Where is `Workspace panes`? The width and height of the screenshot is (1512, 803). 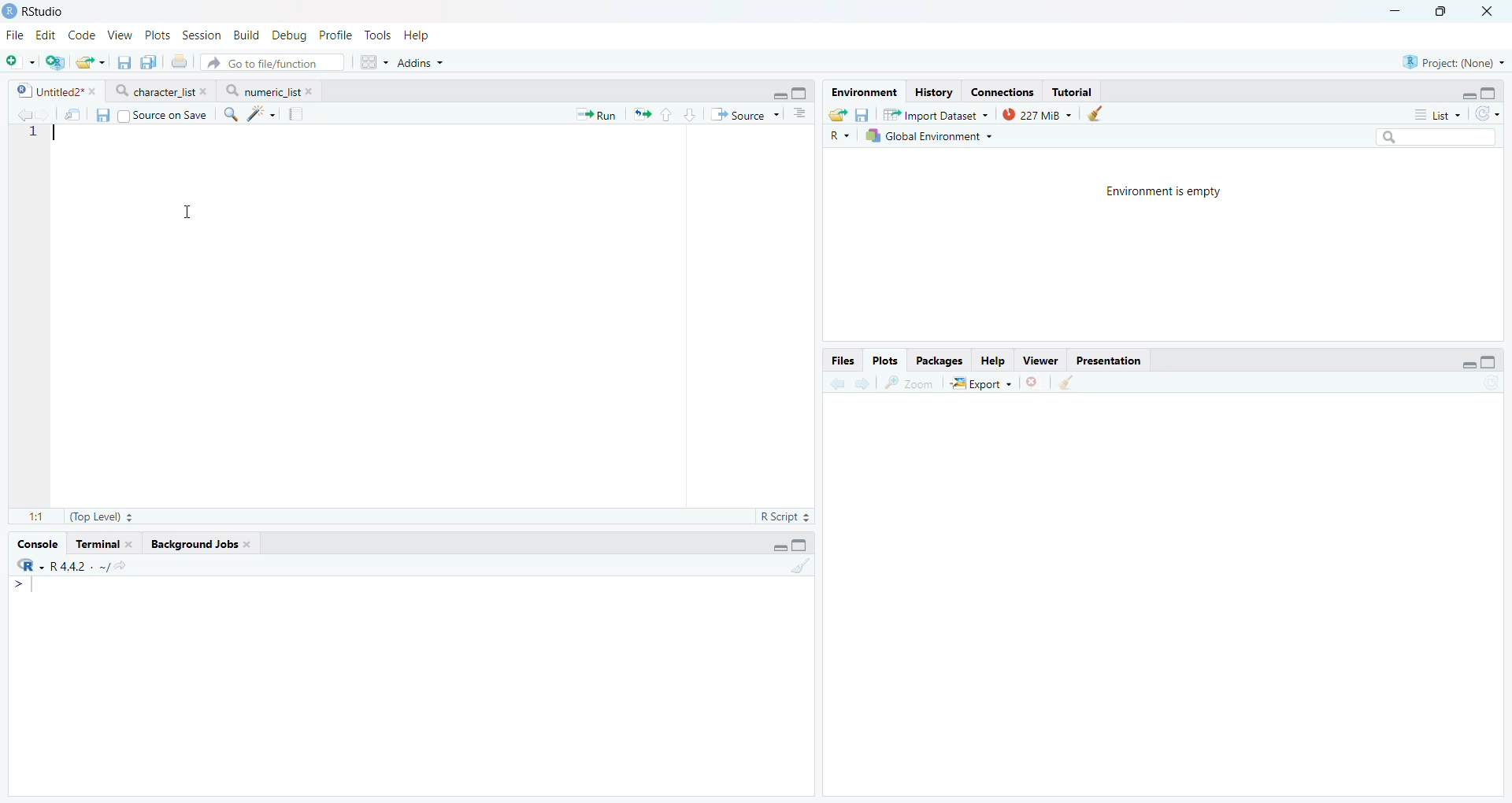 Workspace panes is located at coordinates (372, 63).